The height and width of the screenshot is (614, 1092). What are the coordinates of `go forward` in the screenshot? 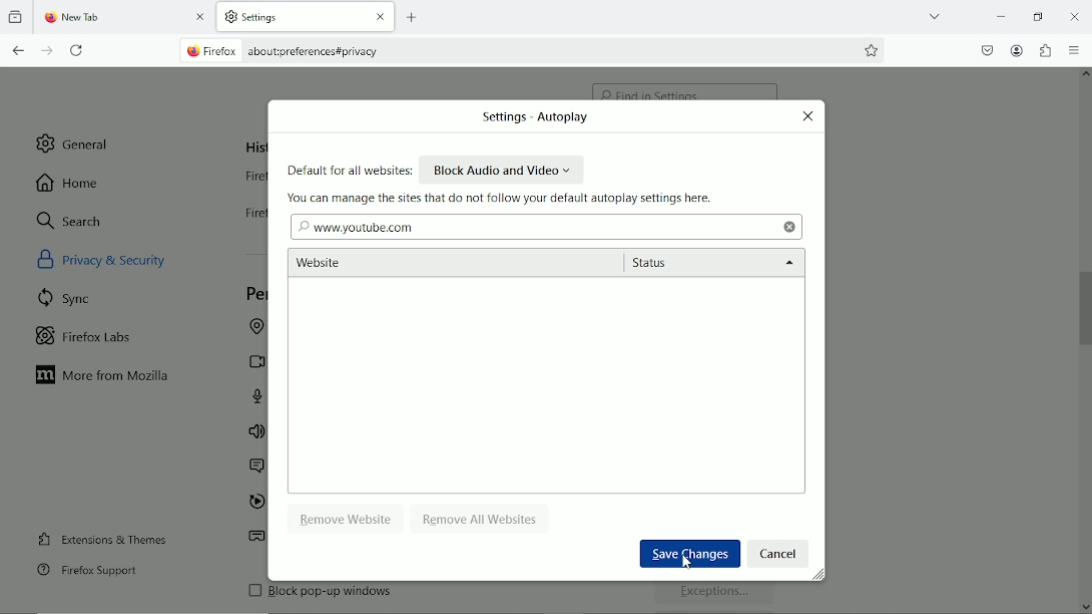 It's located at (48, 51).